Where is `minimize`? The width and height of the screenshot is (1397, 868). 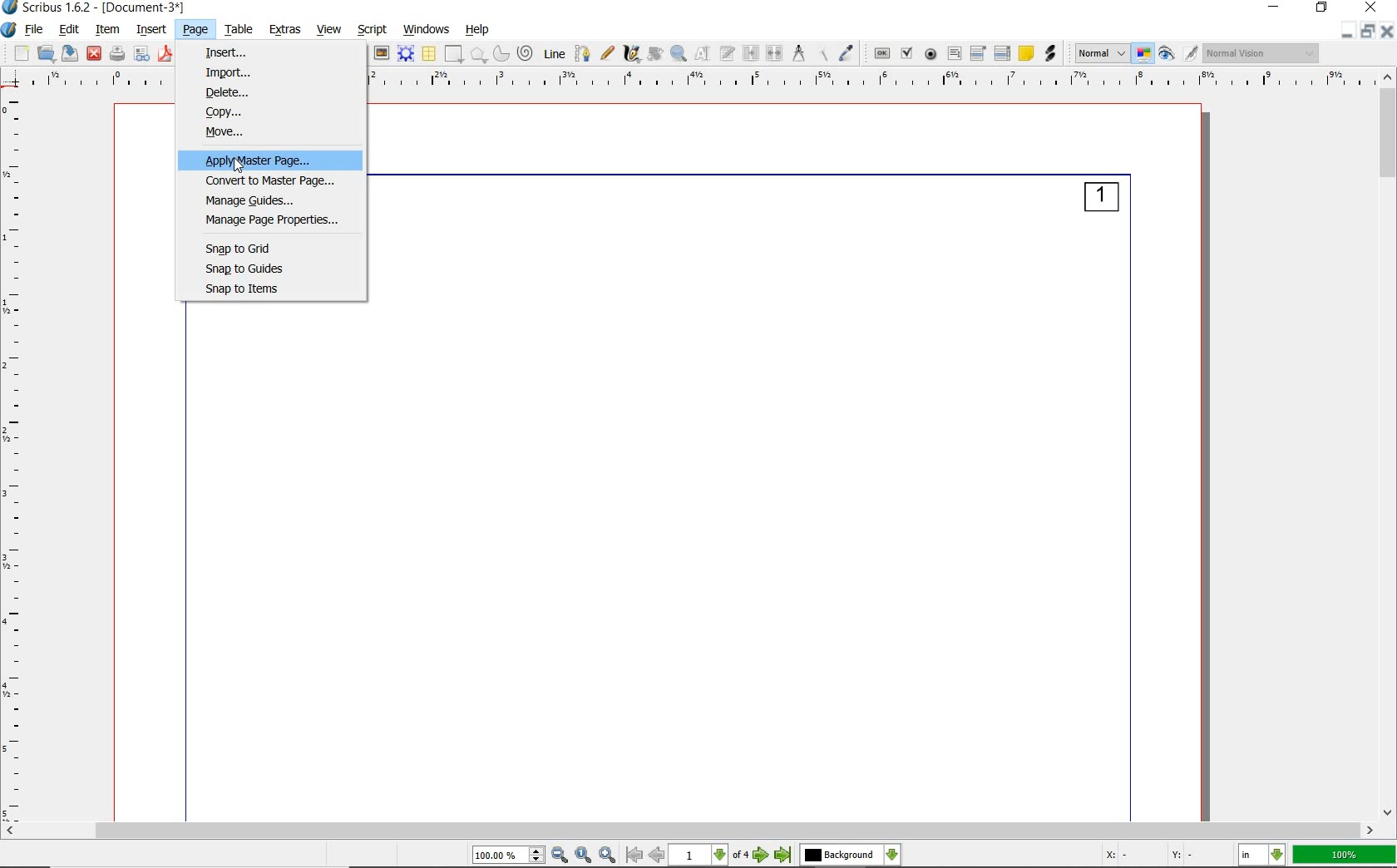 minimize is located at coordinates (1277, 7).